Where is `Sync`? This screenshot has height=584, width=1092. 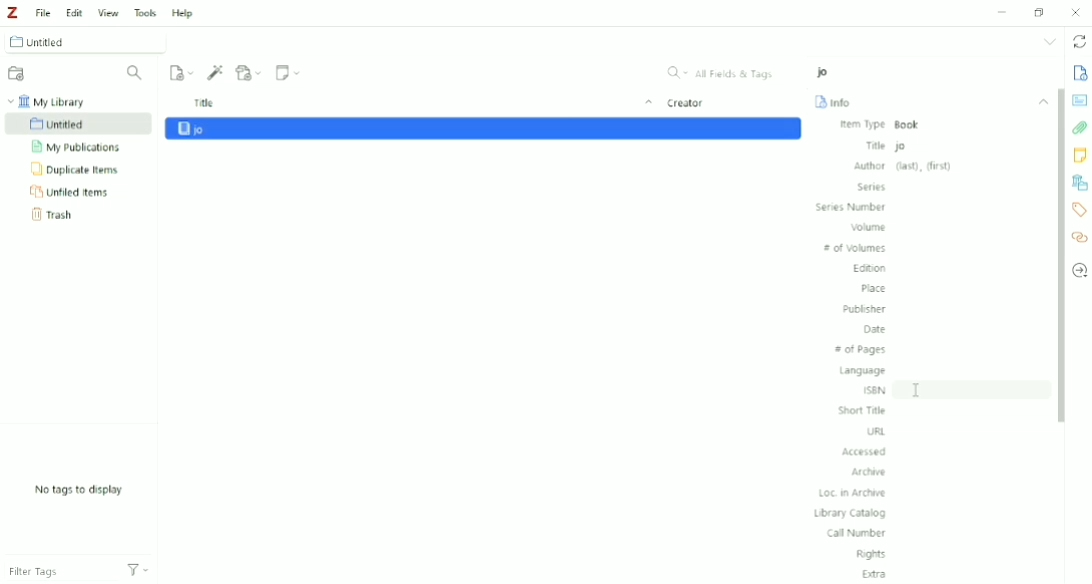 Sync is located at coordinates (1080, 41).